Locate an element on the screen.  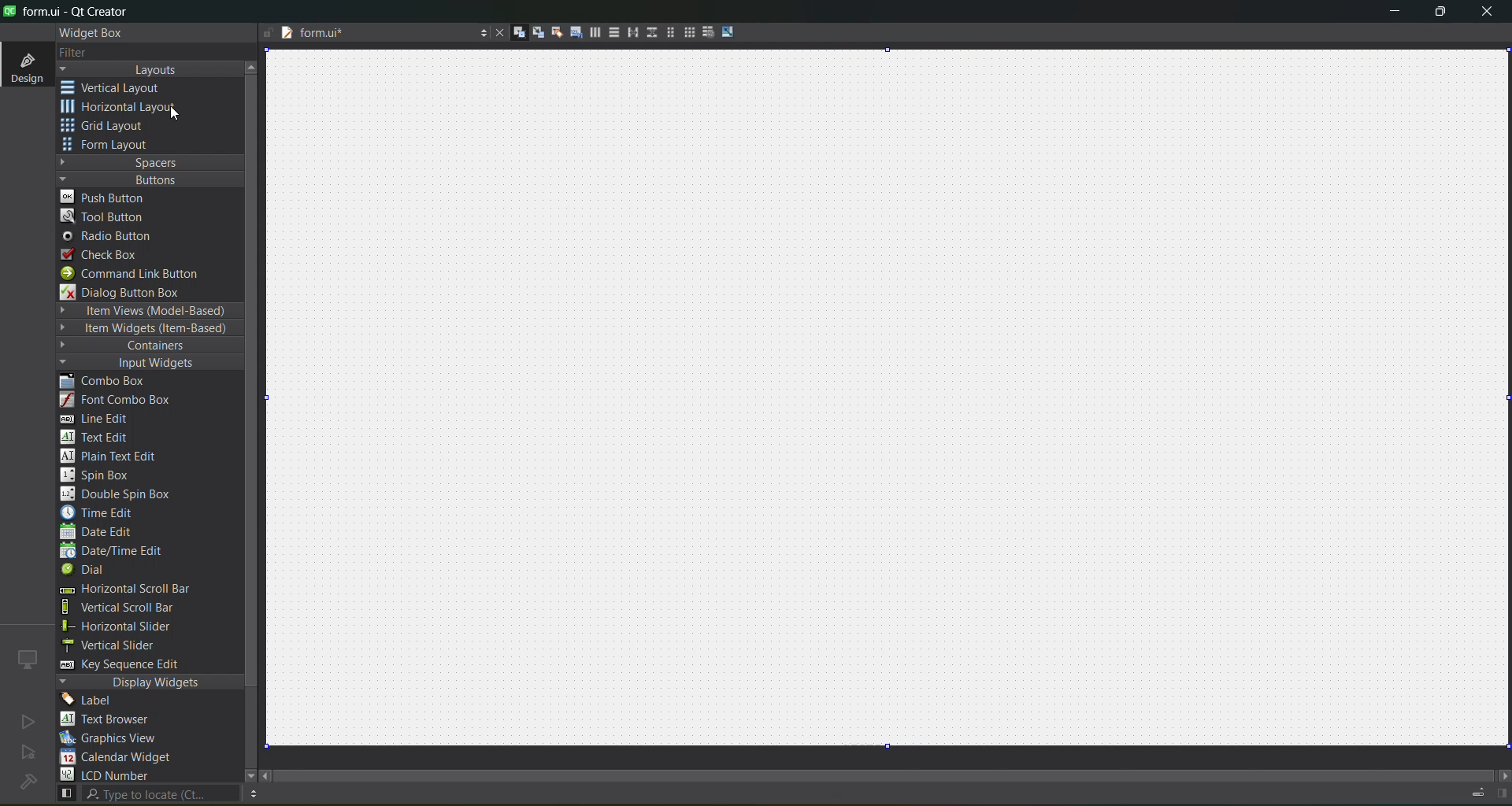
search is located at coordinates (146, 794).